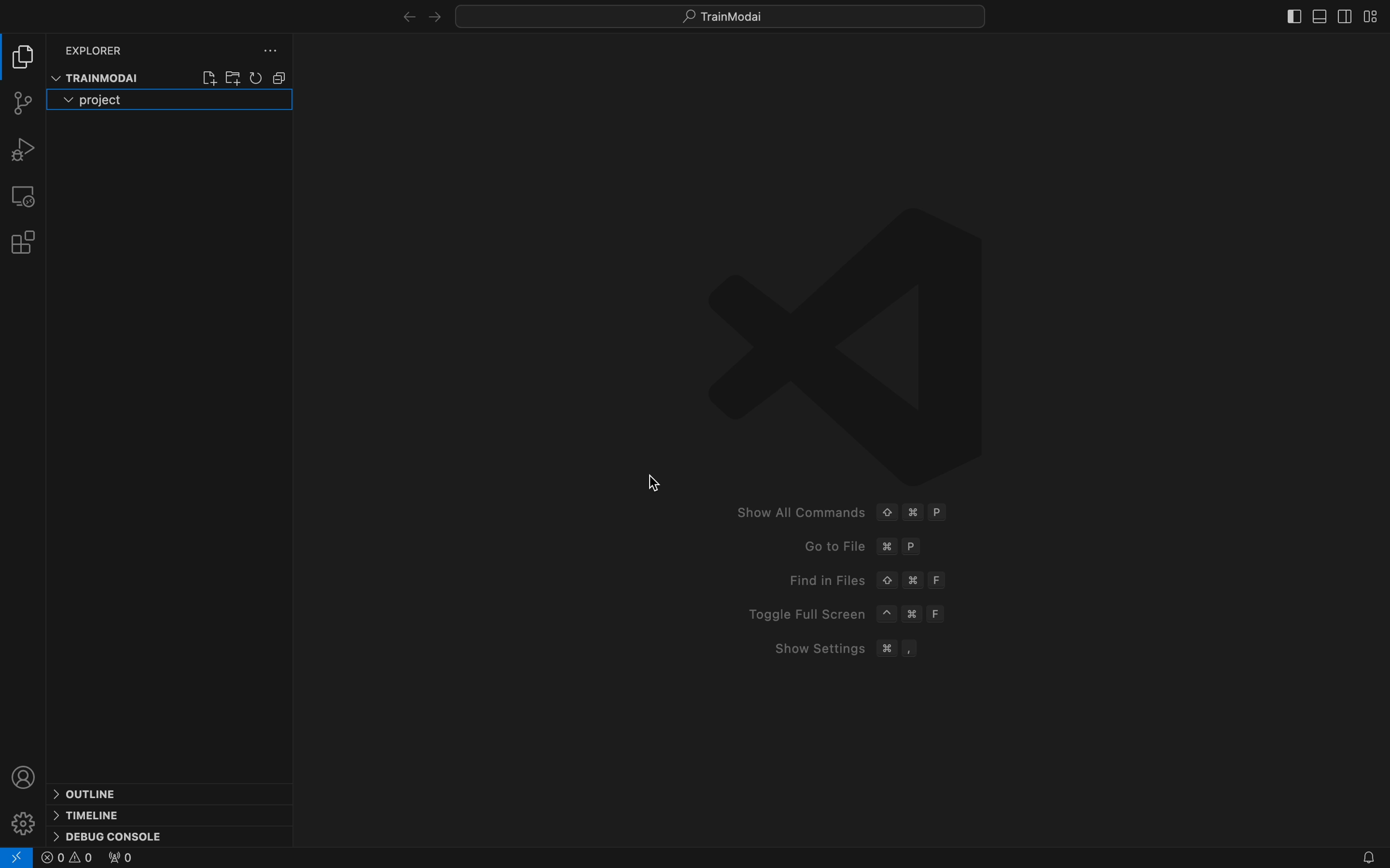 Image resolution: width=1390 pixels, height=868 pixels. I want to click on Icon, so click(842, 325).